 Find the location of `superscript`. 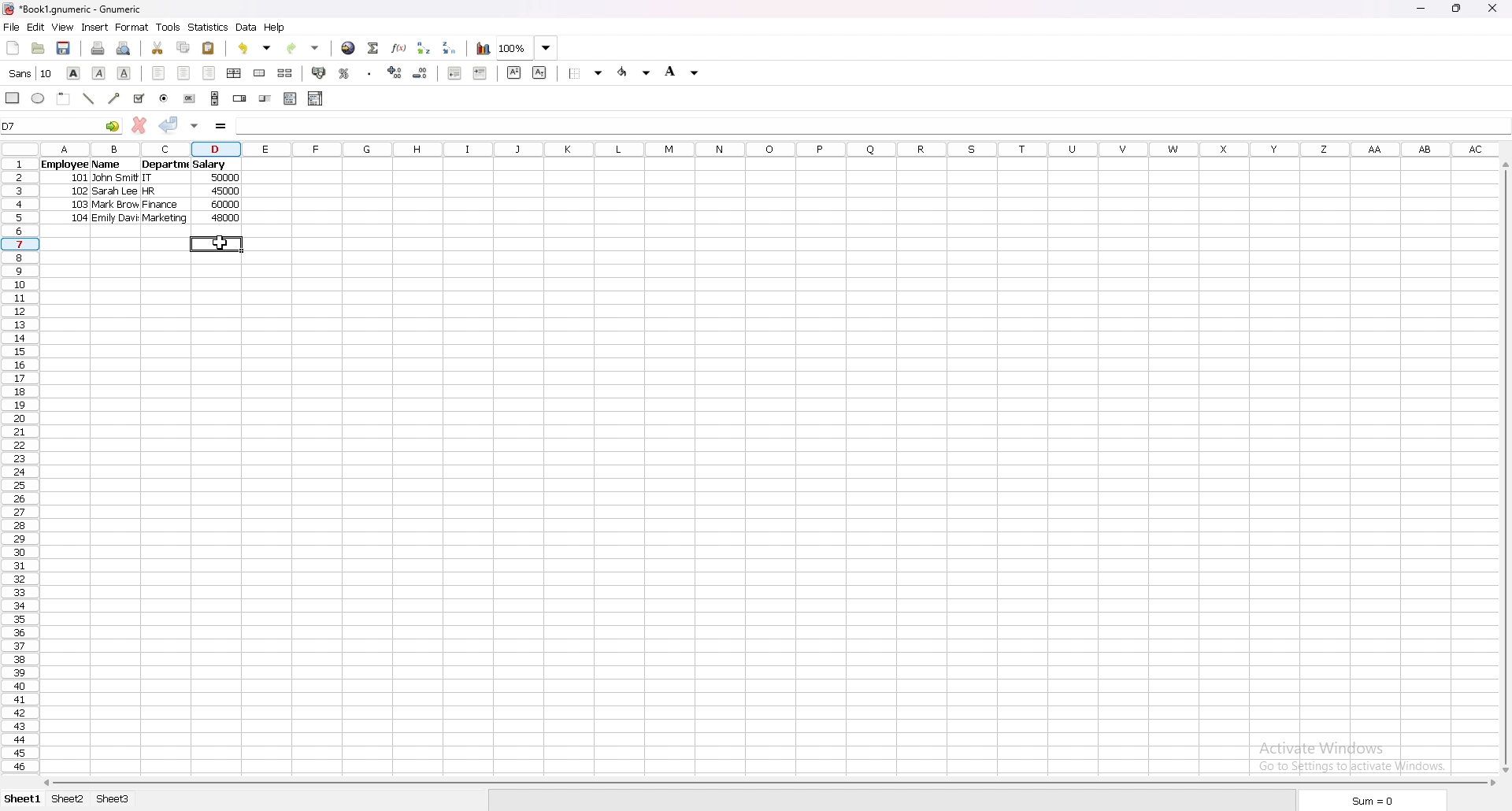

superscript is located at coordinates (514, 72).